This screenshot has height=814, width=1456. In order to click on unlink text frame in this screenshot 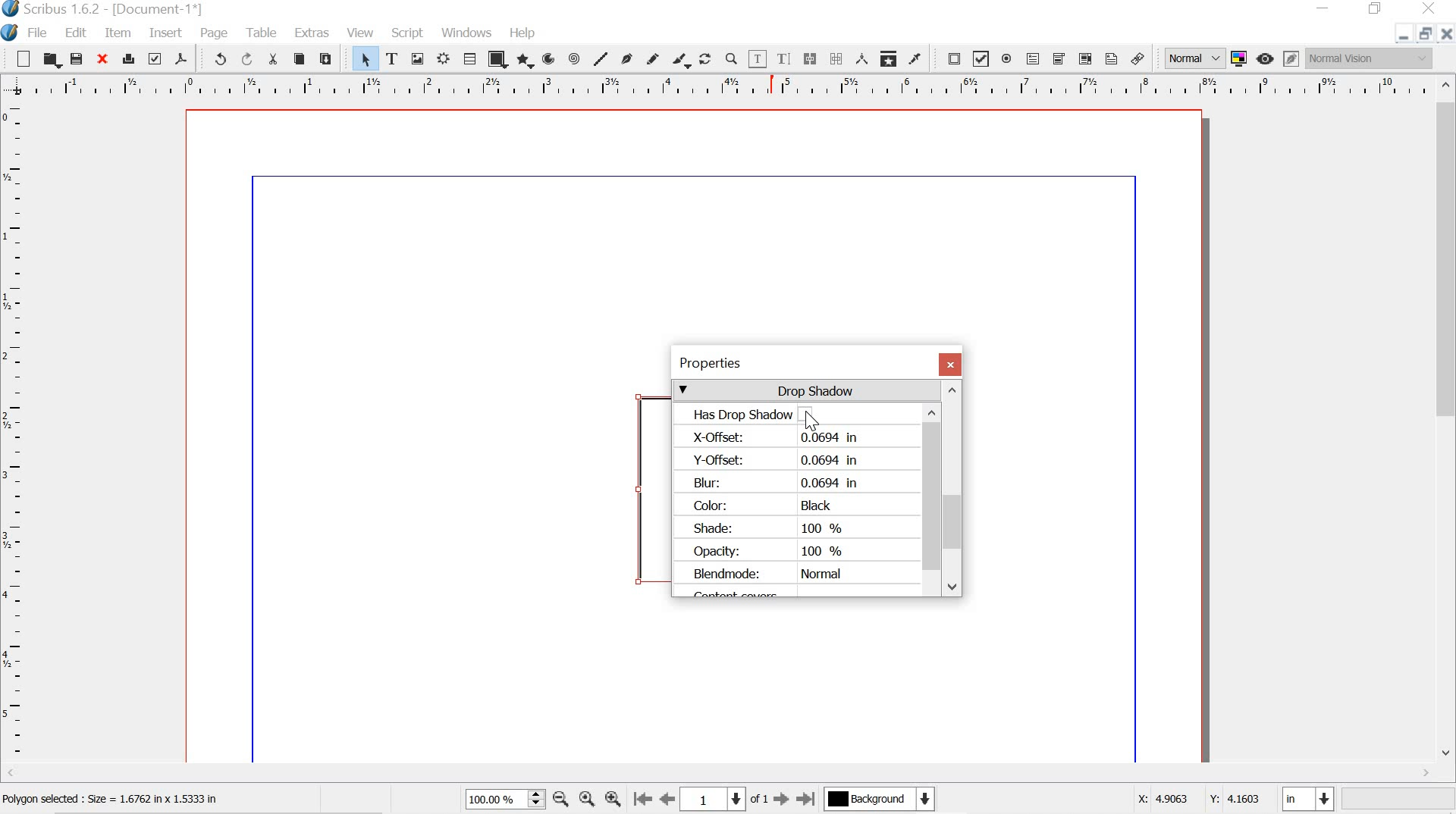, I will do `click(836, 58)`.